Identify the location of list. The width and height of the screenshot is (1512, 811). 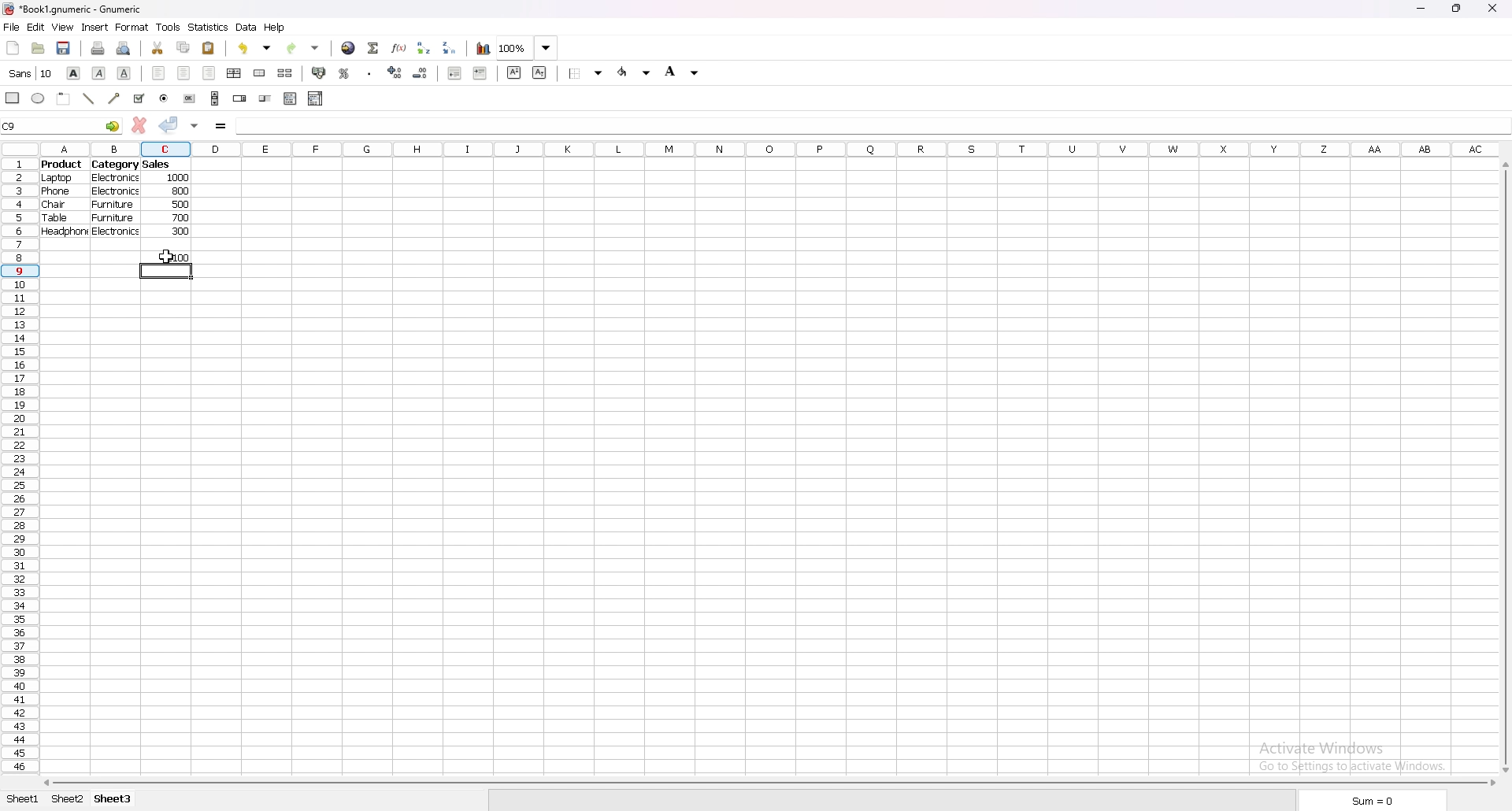
(290, 98).